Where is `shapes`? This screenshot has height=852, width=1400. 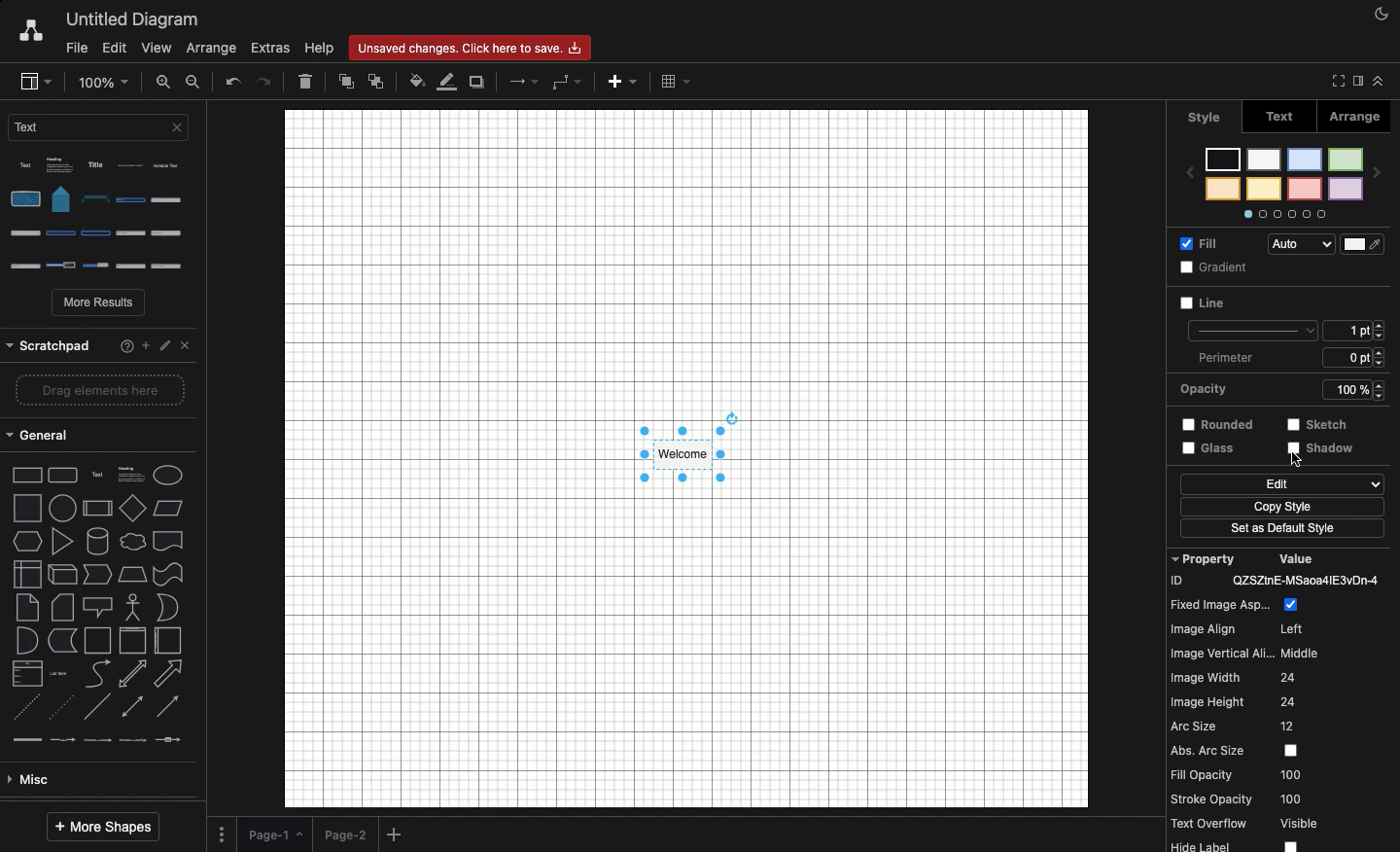 shapes is located at coordinates (104, 470).